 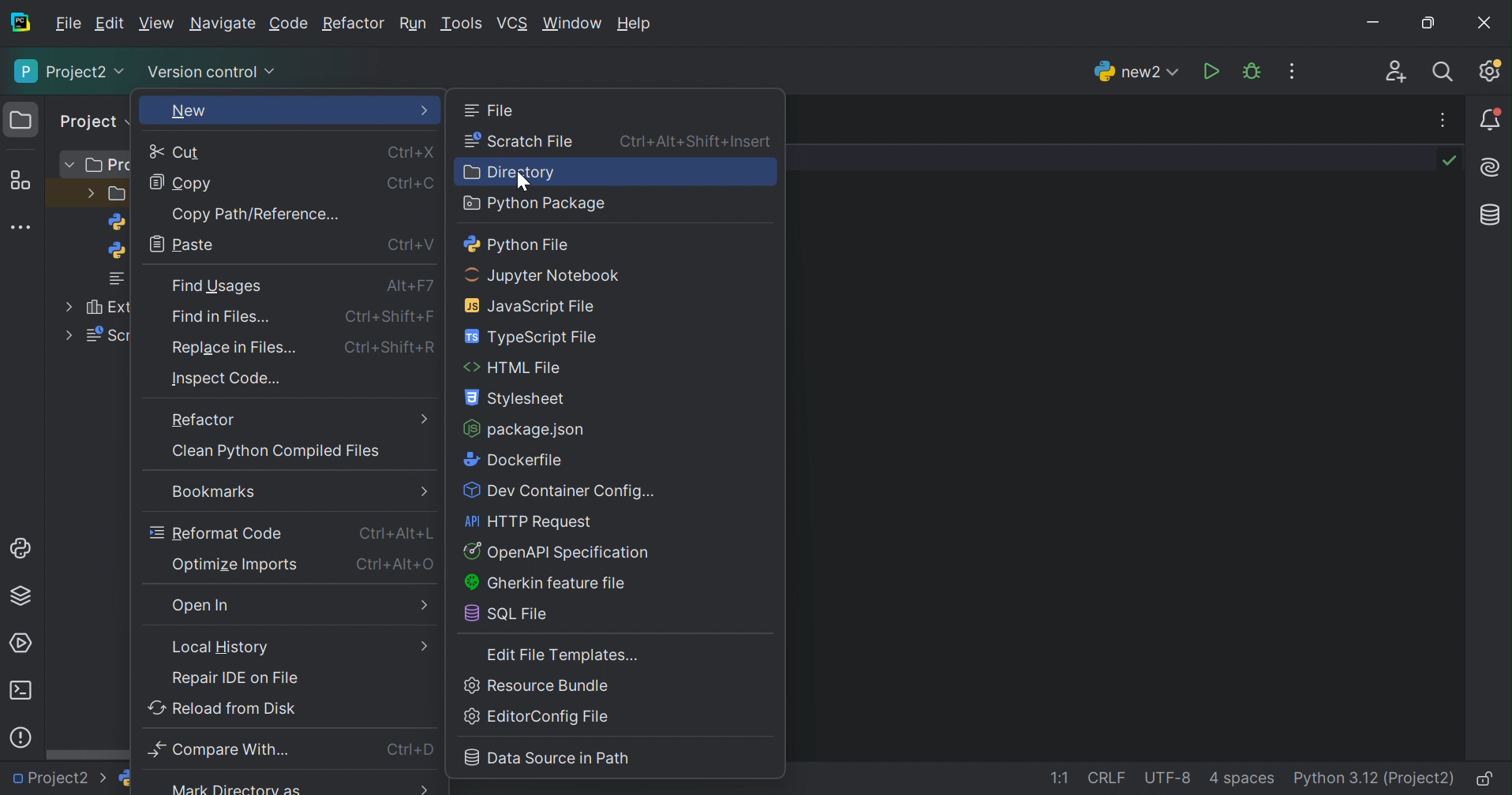 I want to click on Clean python compiled files, so click(x=276, y=451).